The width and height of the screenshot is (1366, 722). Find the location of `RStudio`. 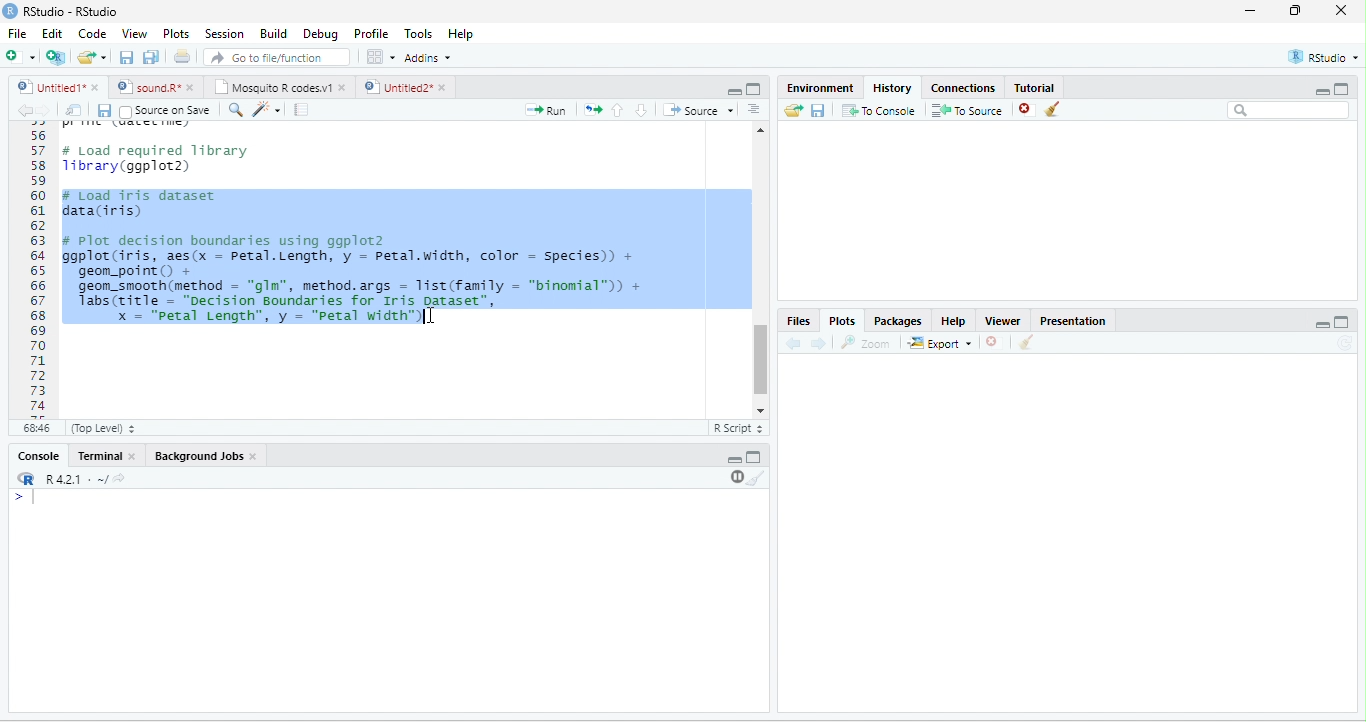

RStudio is located at coordinates (1324, 57).